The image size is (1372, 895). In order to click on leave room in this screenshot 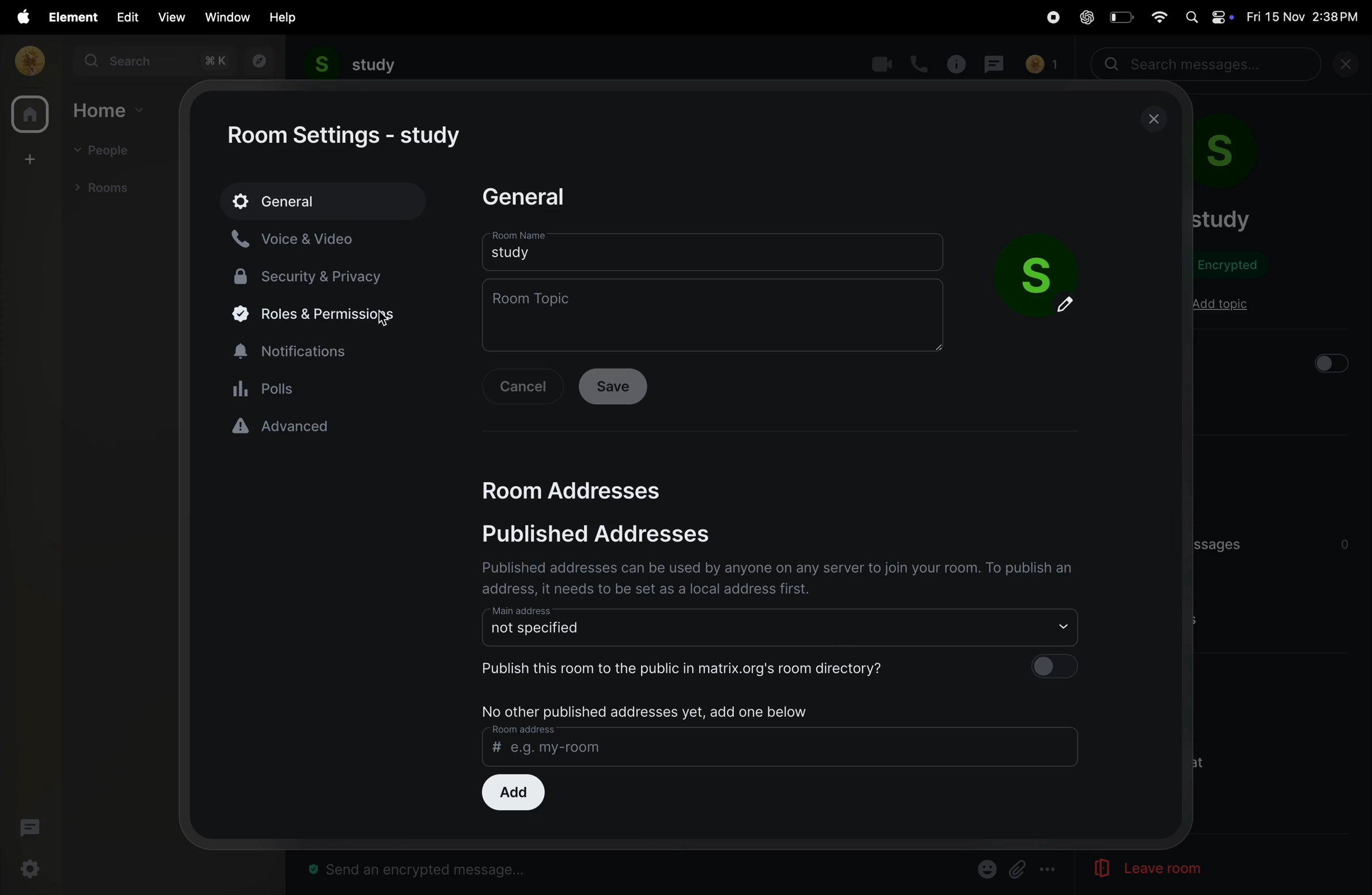, I will do `click(1132, 869)`.